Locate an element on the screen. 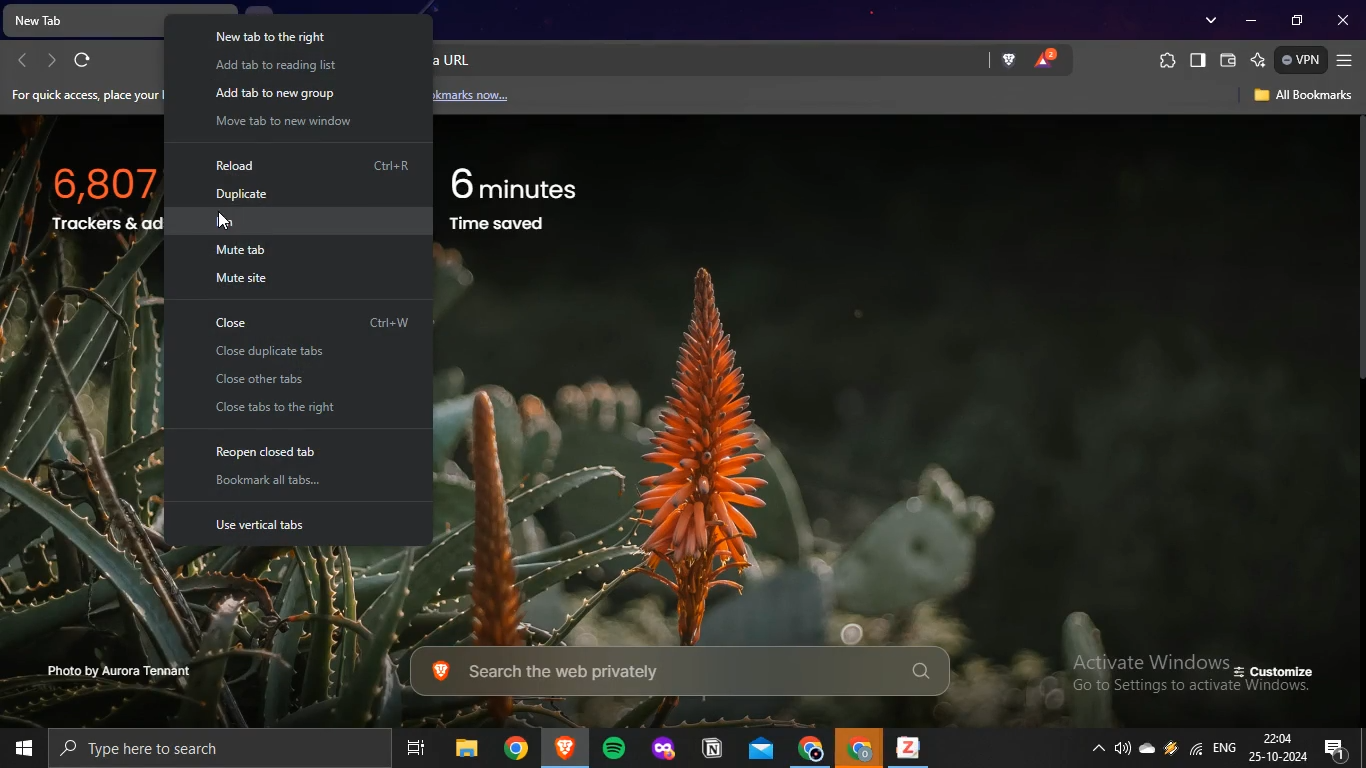 Image resolution: width=1366 pixels, height=768 pixels. move tab to new window is located at coordinates (283, 122).